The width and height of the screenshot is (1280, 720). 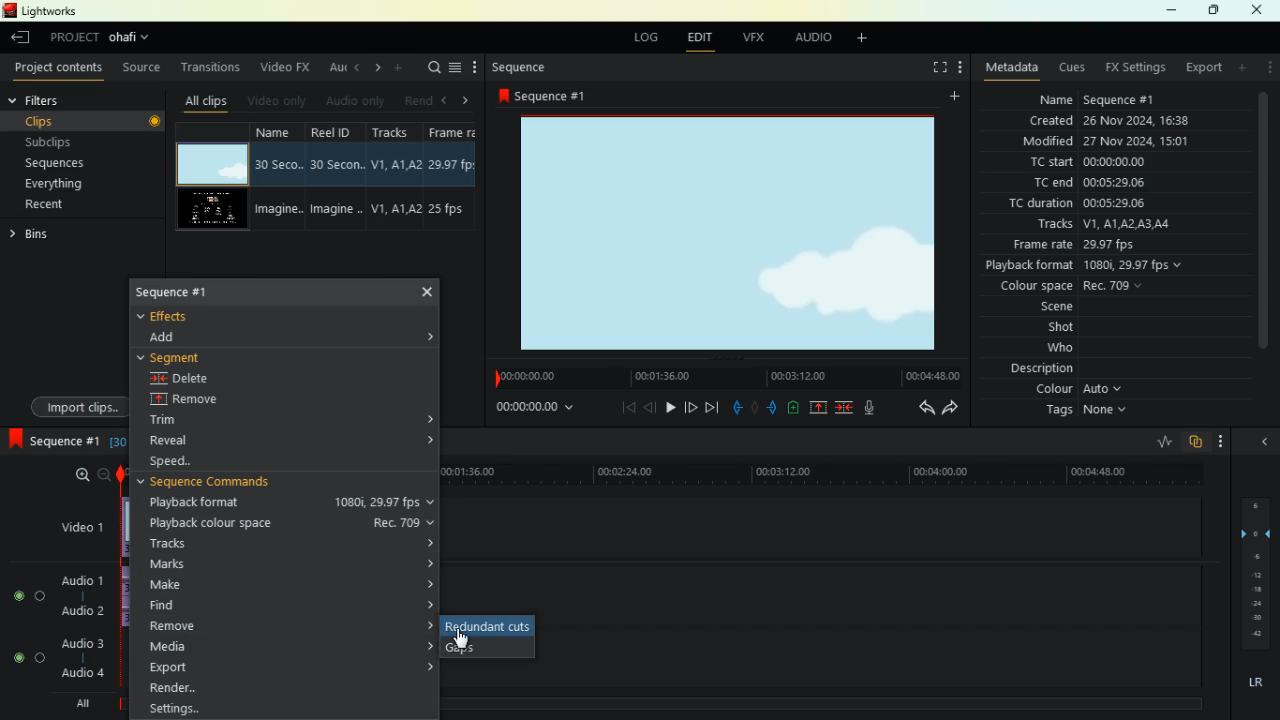 What do you see at coordinates (286, 625) in the screenshot?
I see `remove` at bounding box center [286, 625].